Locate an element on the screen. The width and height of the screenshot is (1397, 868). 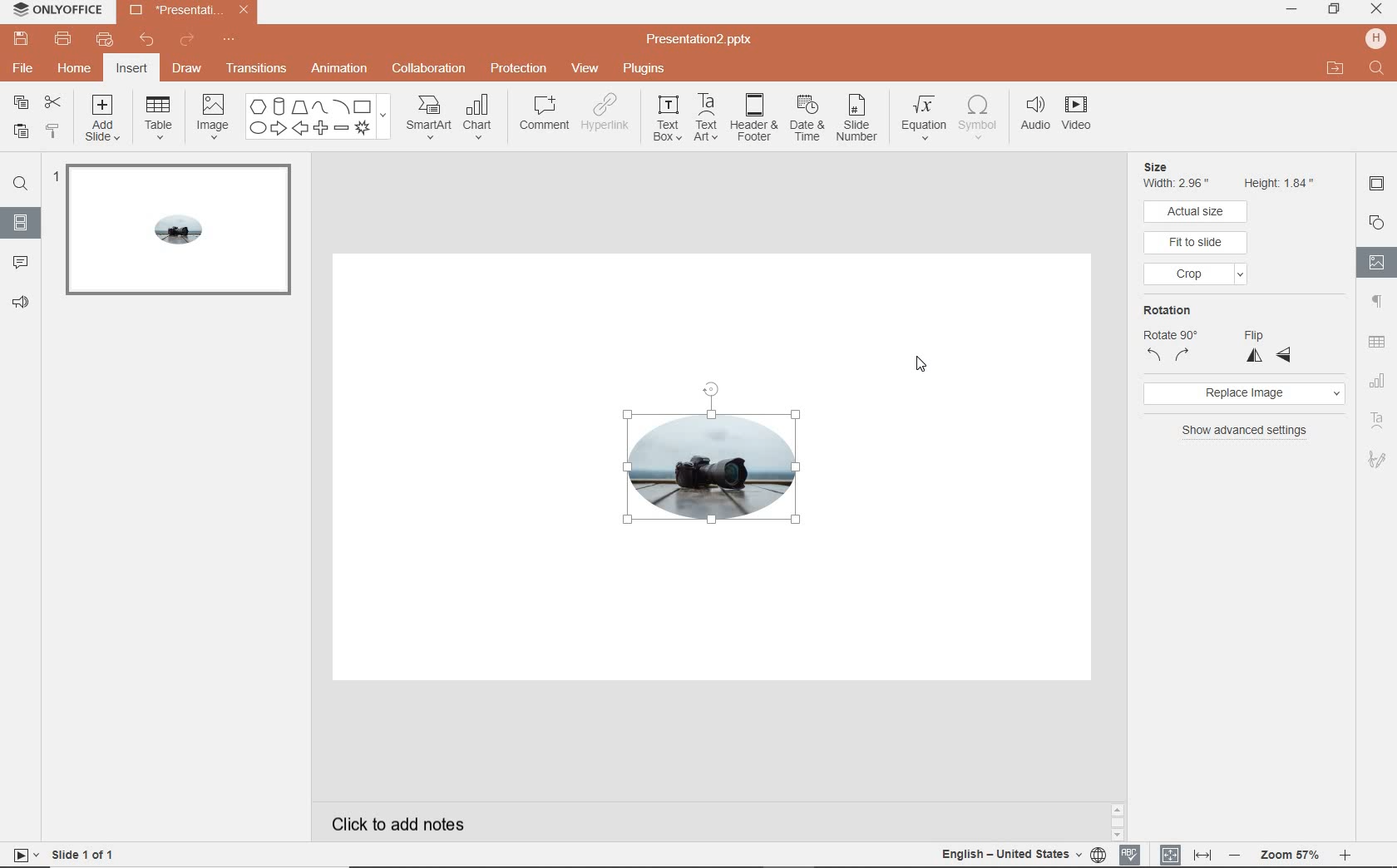
protection is located at coordinates (518, 70).